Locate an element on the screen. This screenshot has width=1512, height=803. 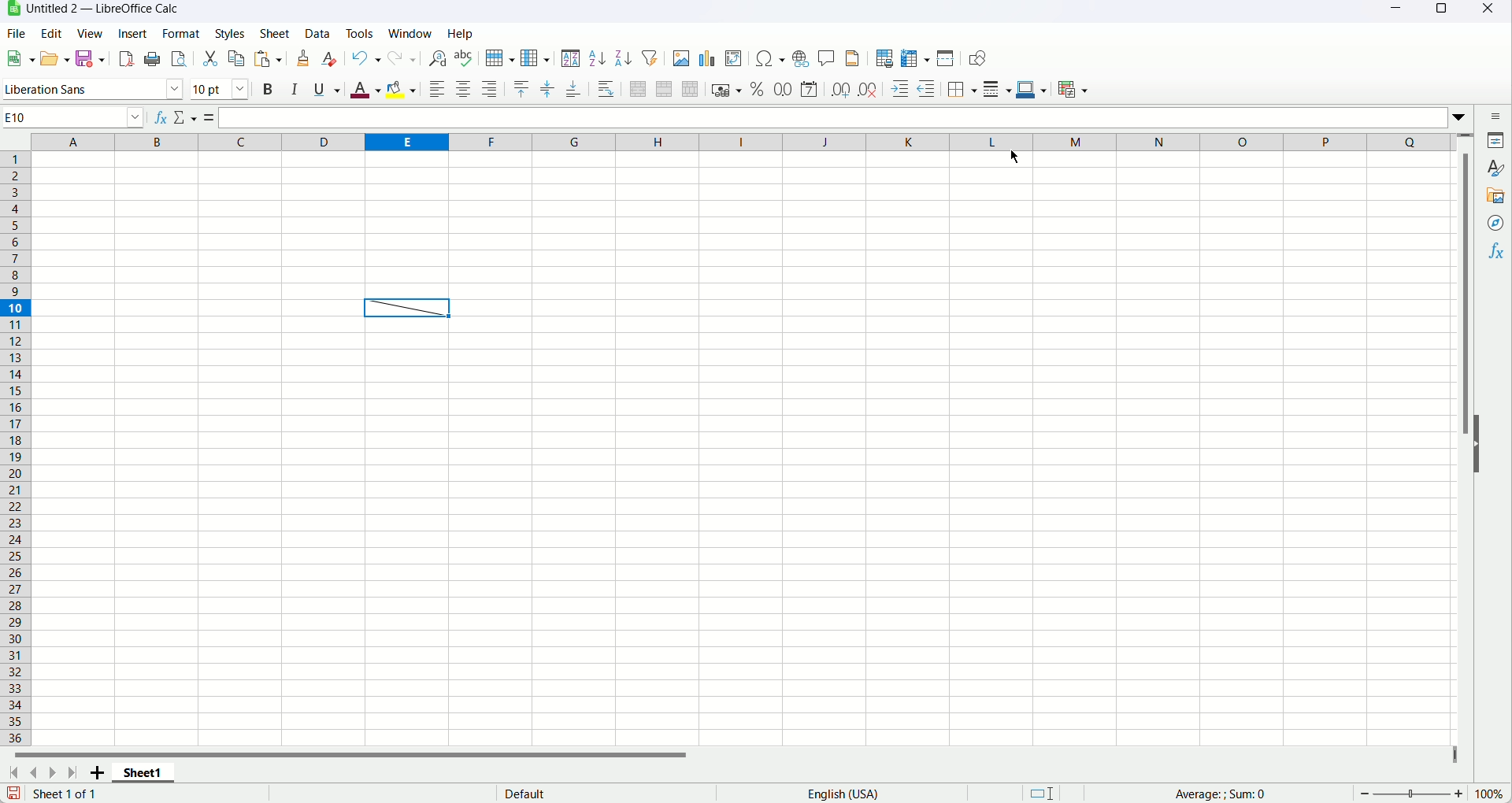
Clone formatting is located at coordinates (304, 57).